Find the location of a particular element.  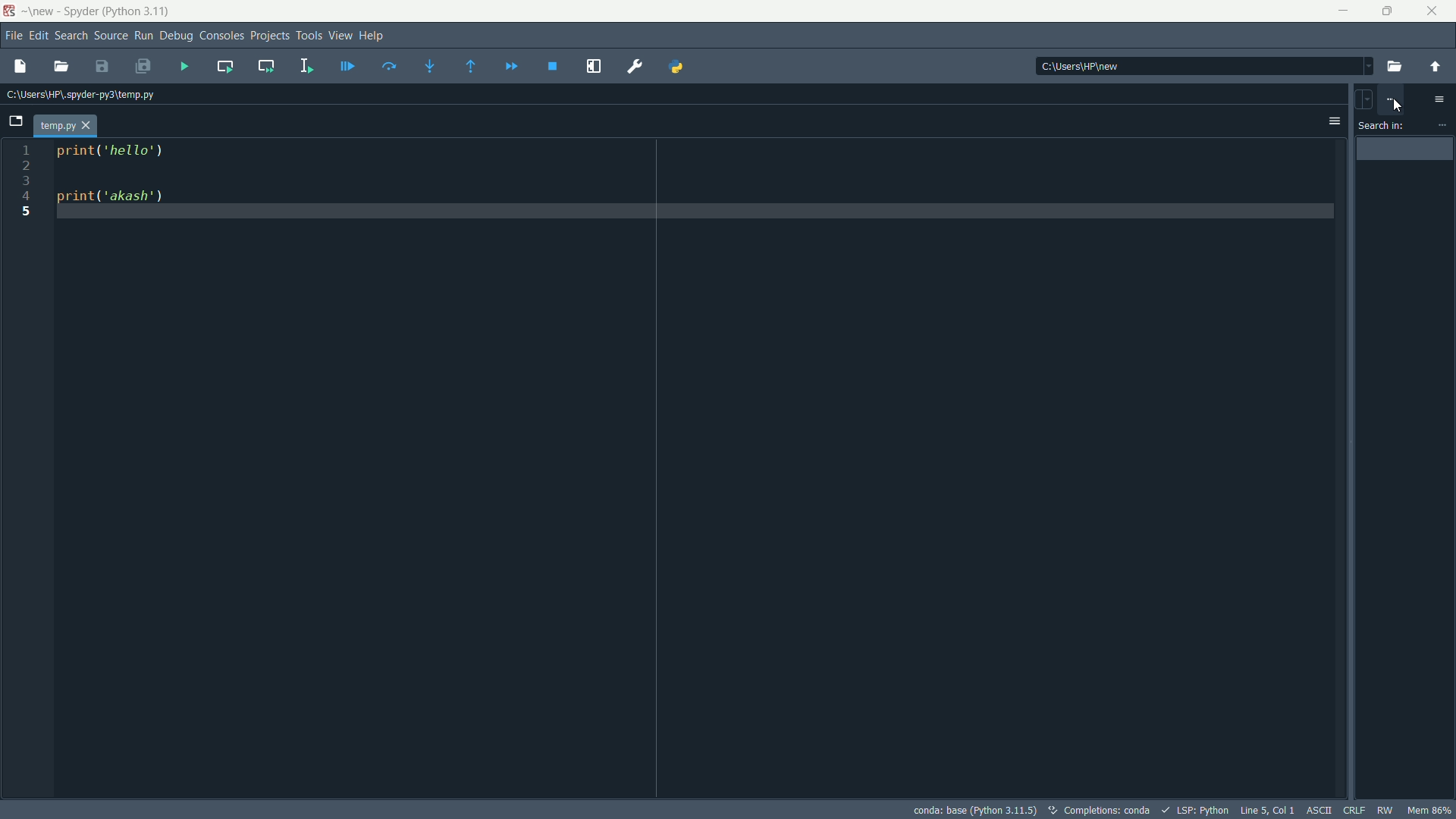

Close app is located at coordinates (1432, 11).